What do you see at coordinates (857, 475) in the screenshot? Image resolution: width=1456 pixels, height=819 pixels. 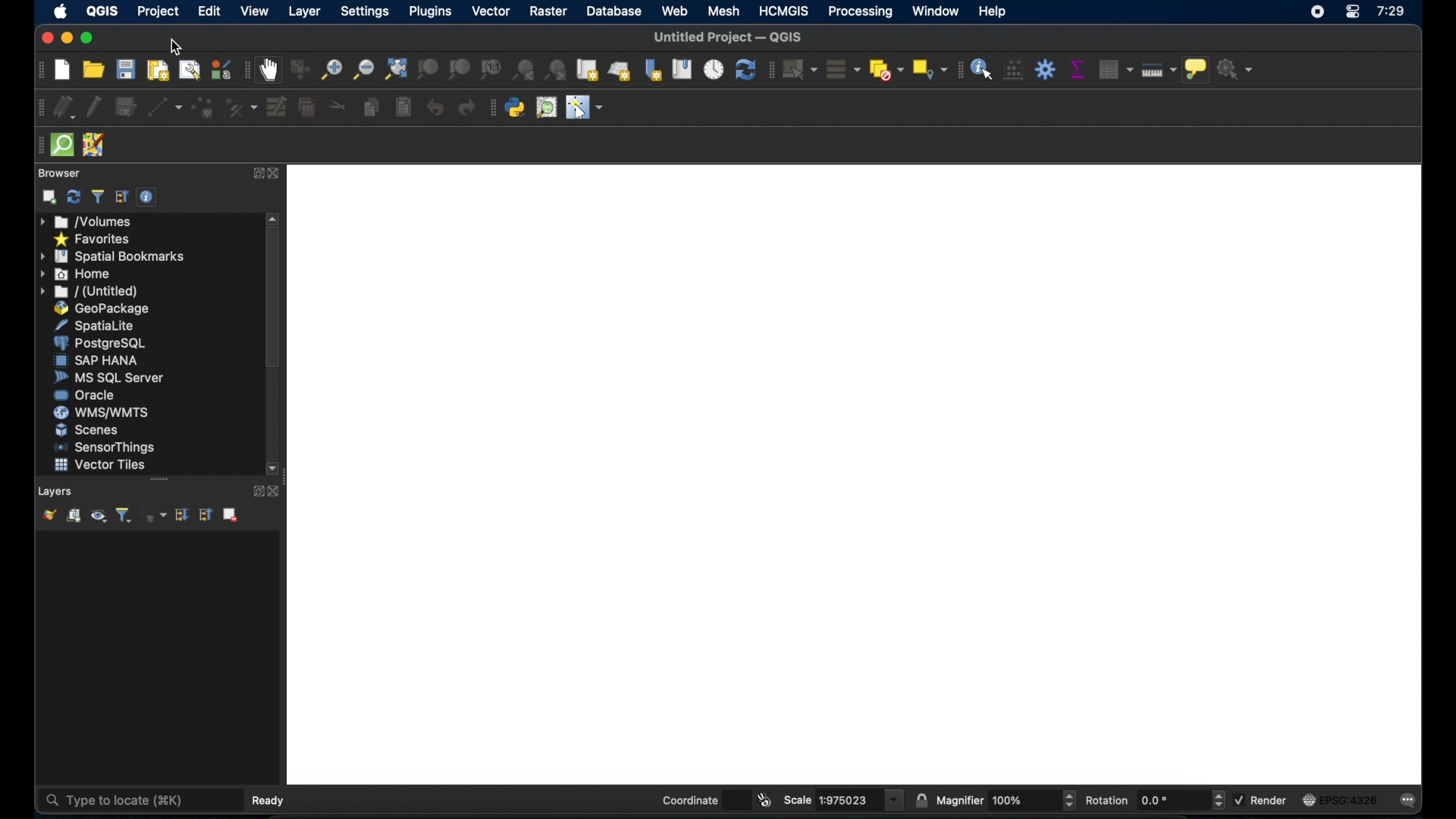 I see `blank project` at bounding box center [857, 475].